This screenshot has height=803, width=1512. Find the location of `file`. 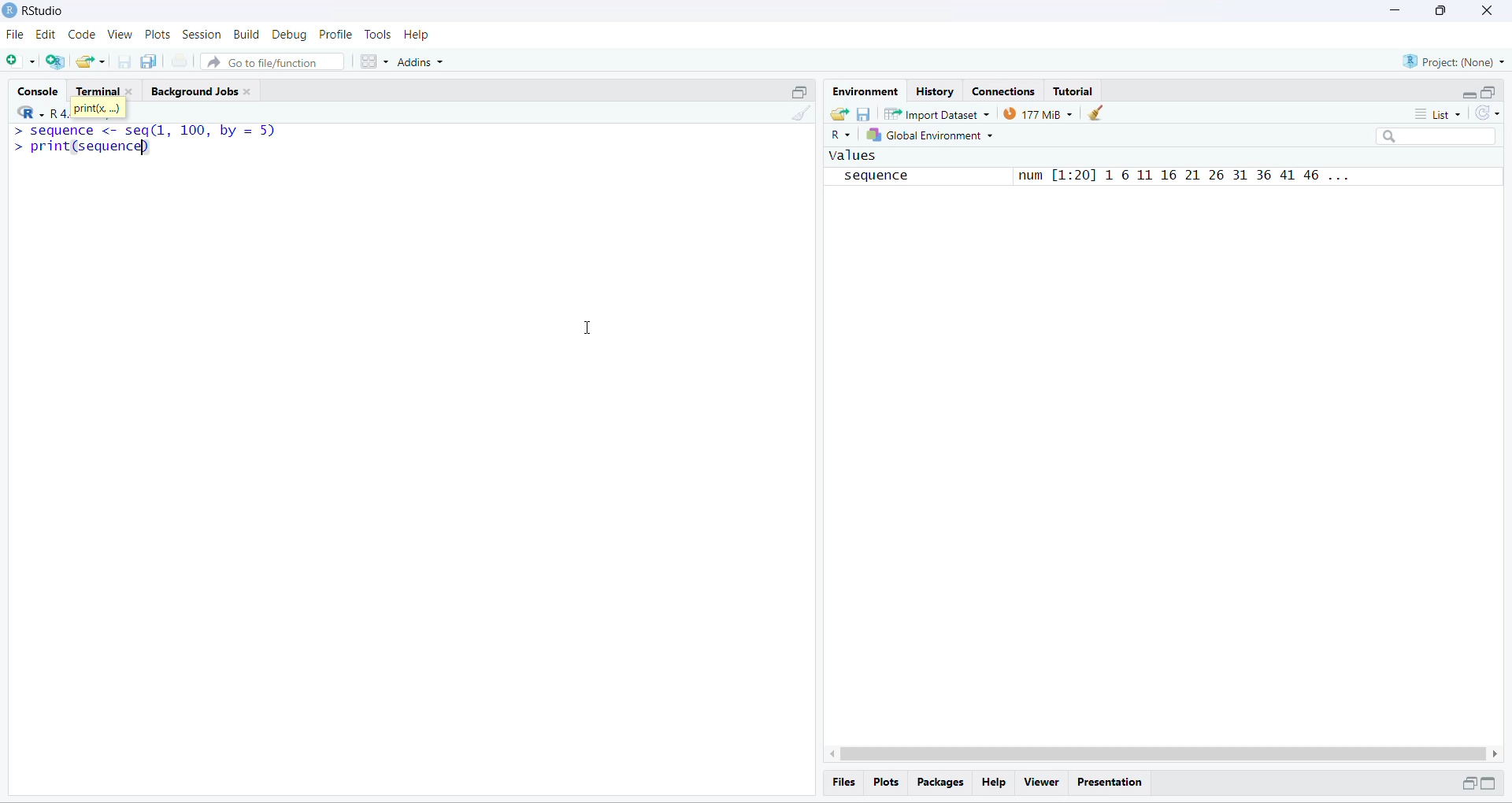

file is located at coordinates (16, 35).